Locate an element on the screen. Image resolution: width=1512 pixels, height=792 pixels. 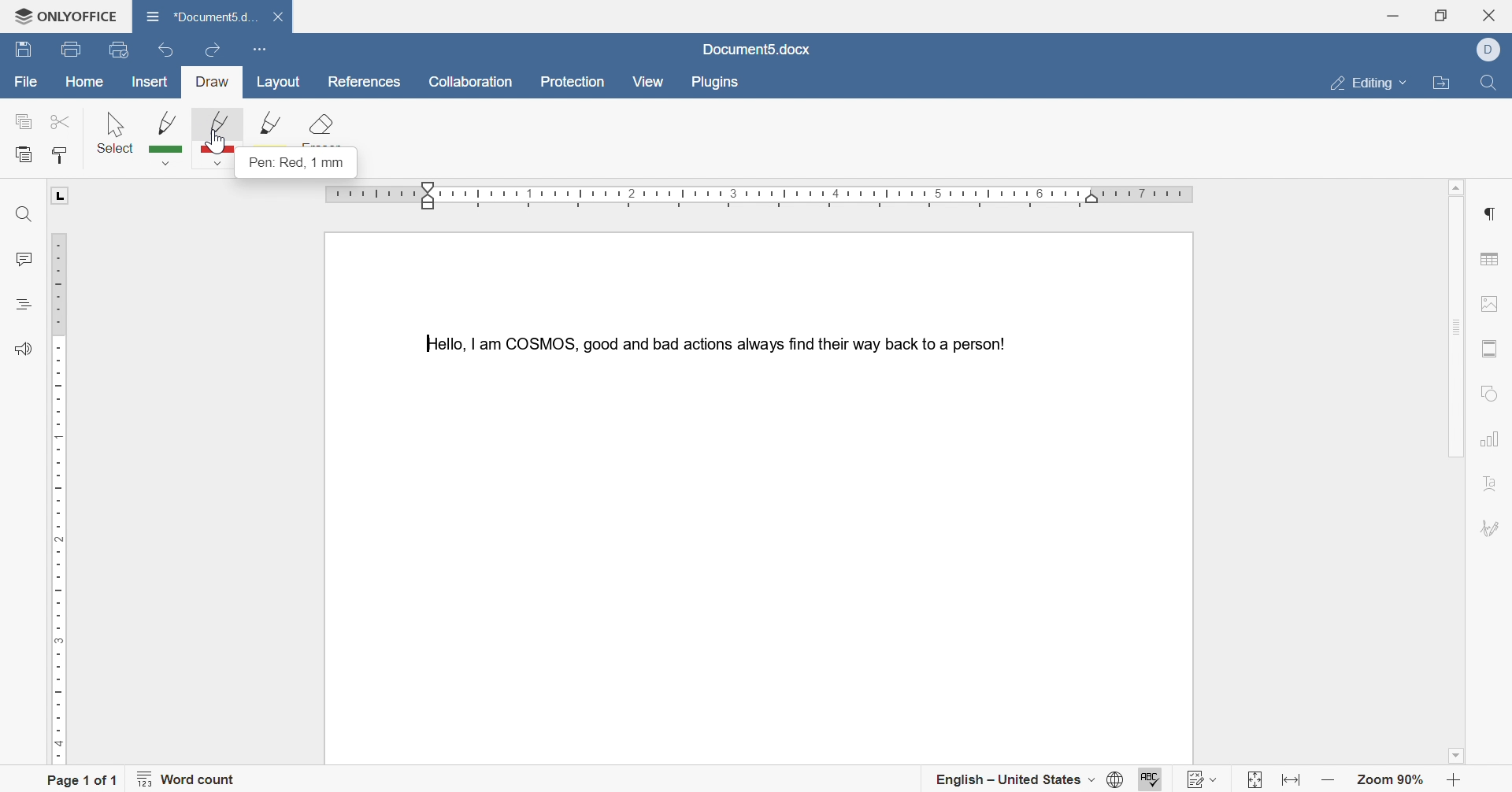
text art settings is located at coordinates (1489, 487).